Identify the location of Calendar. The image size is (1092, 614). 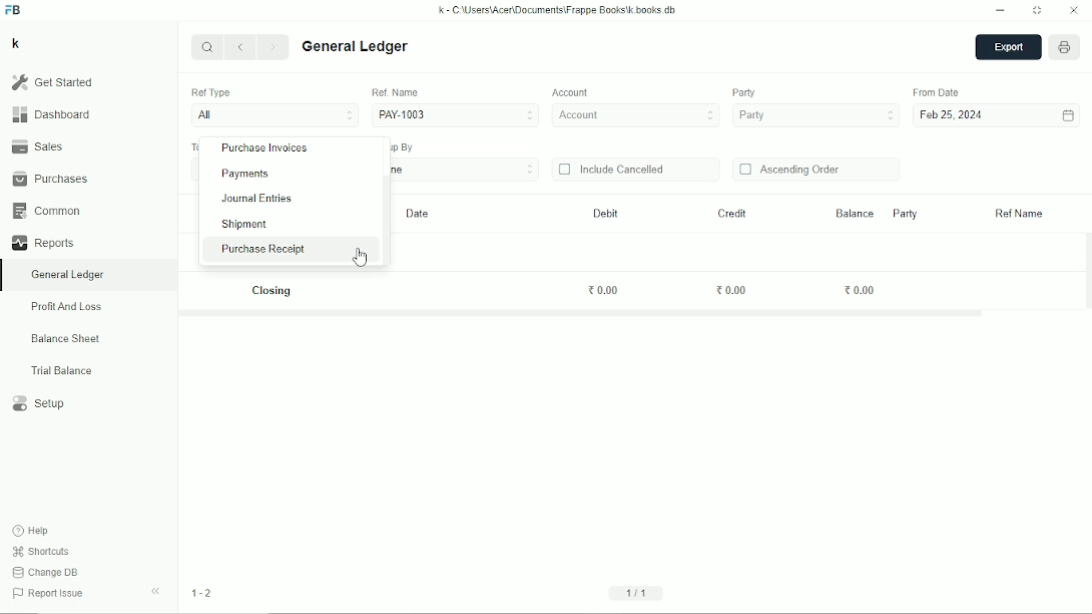
(1068, 116).